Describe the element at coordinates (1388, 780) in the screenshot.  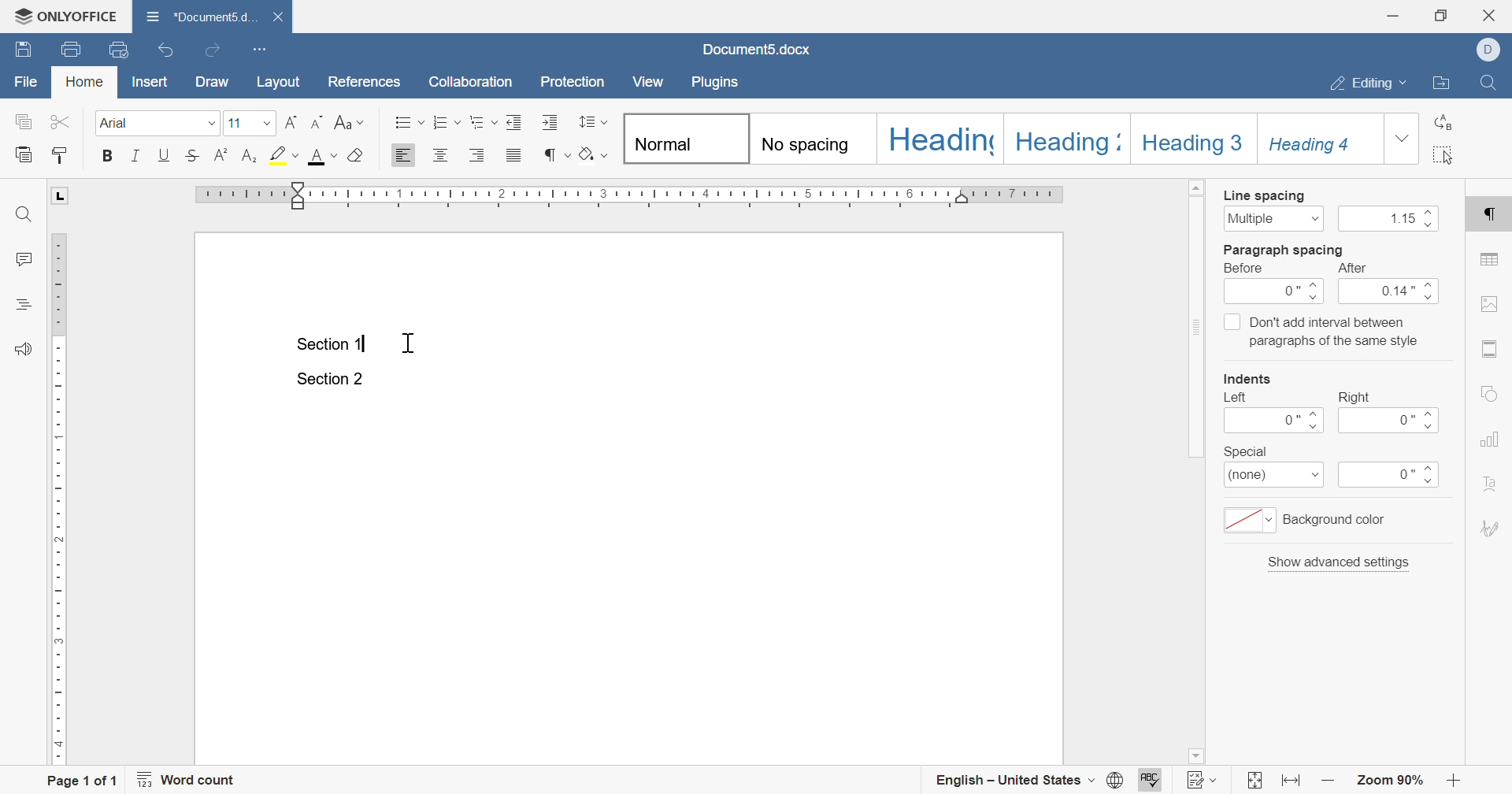
I see `zoom 90%` at that location.